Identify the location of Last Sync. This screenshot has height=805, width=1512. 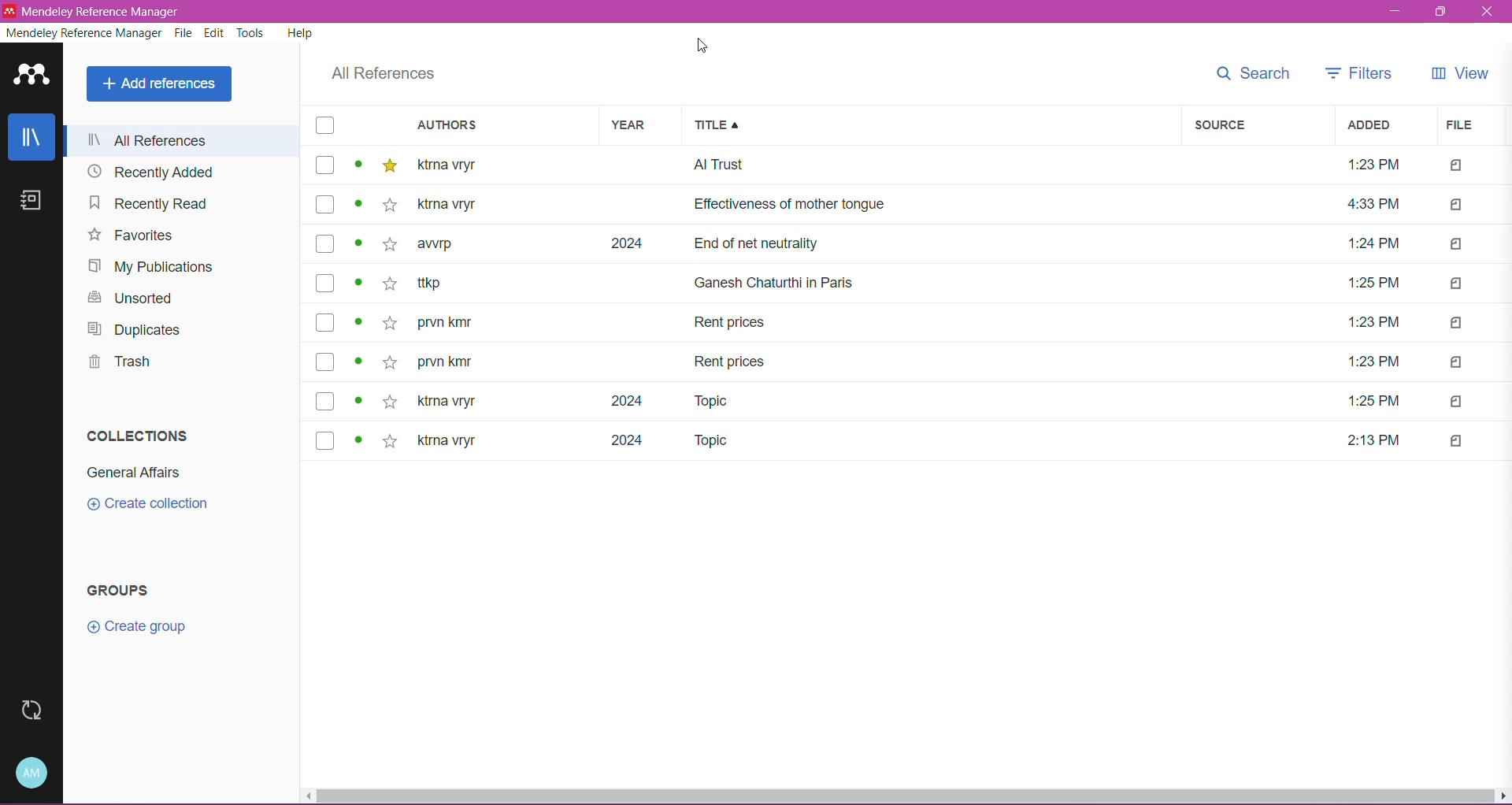
(39, 710).